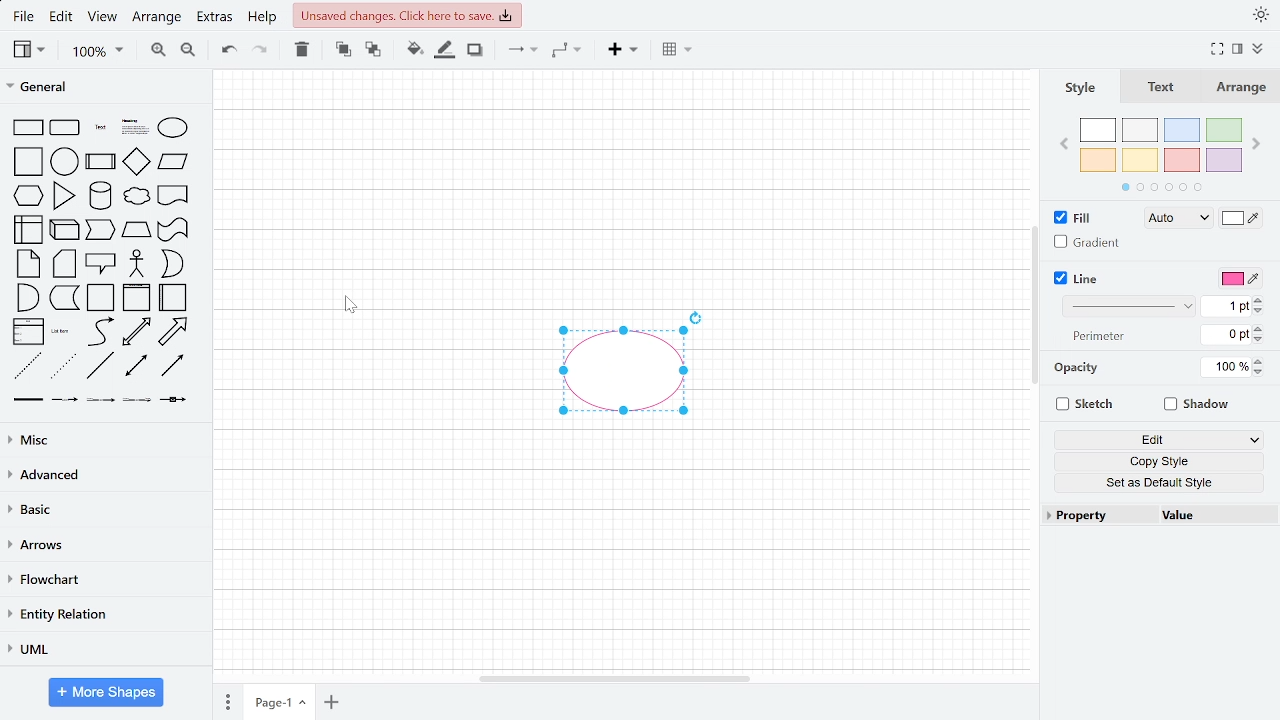 Image resolution: width=1280 pixels, height=720 pixels. I want to click on fill color, so click(414, 52).